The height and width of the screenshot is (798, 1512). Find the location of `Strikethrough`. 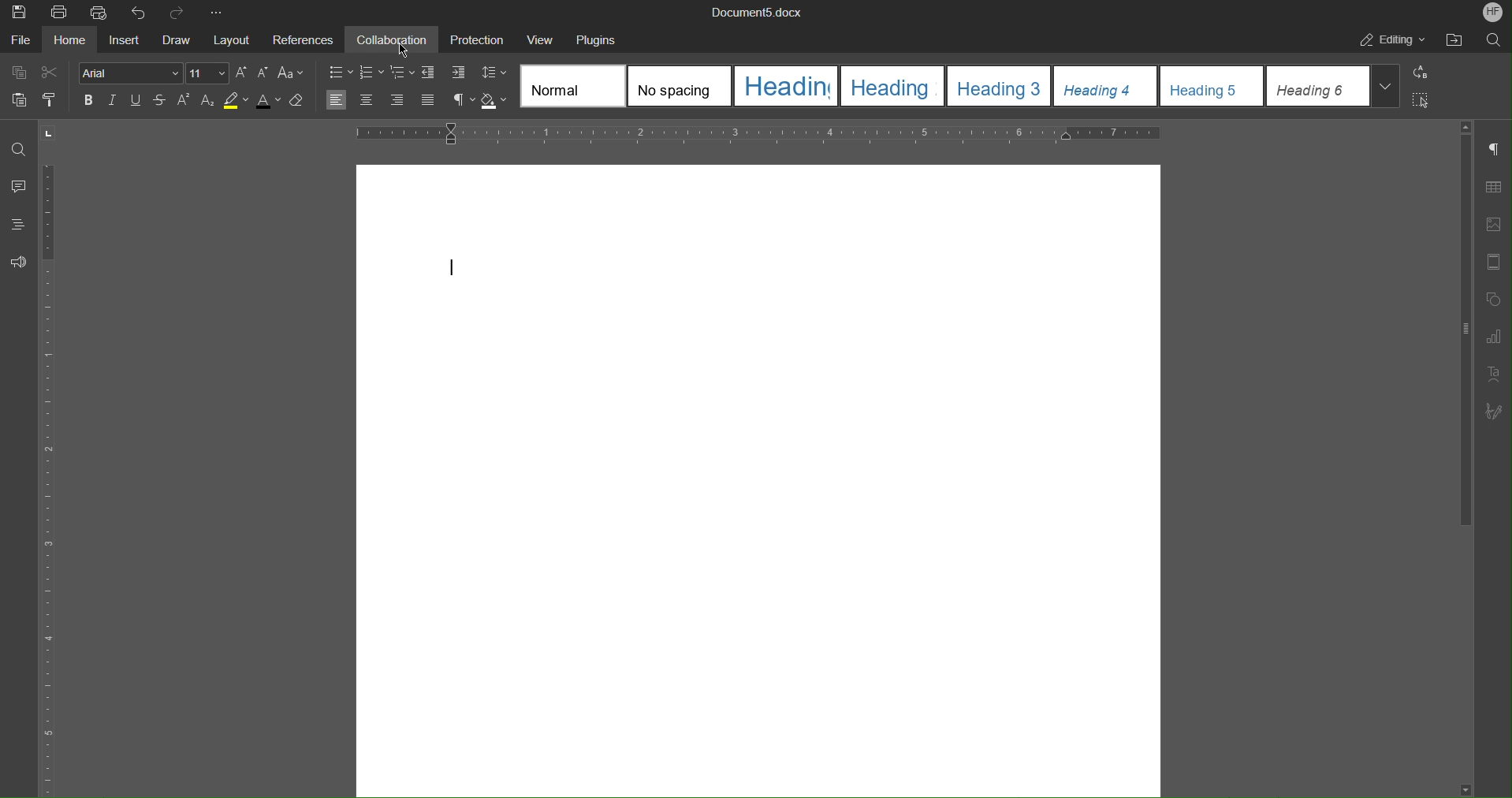

Strikethrough is located at coordinates (160, 103).